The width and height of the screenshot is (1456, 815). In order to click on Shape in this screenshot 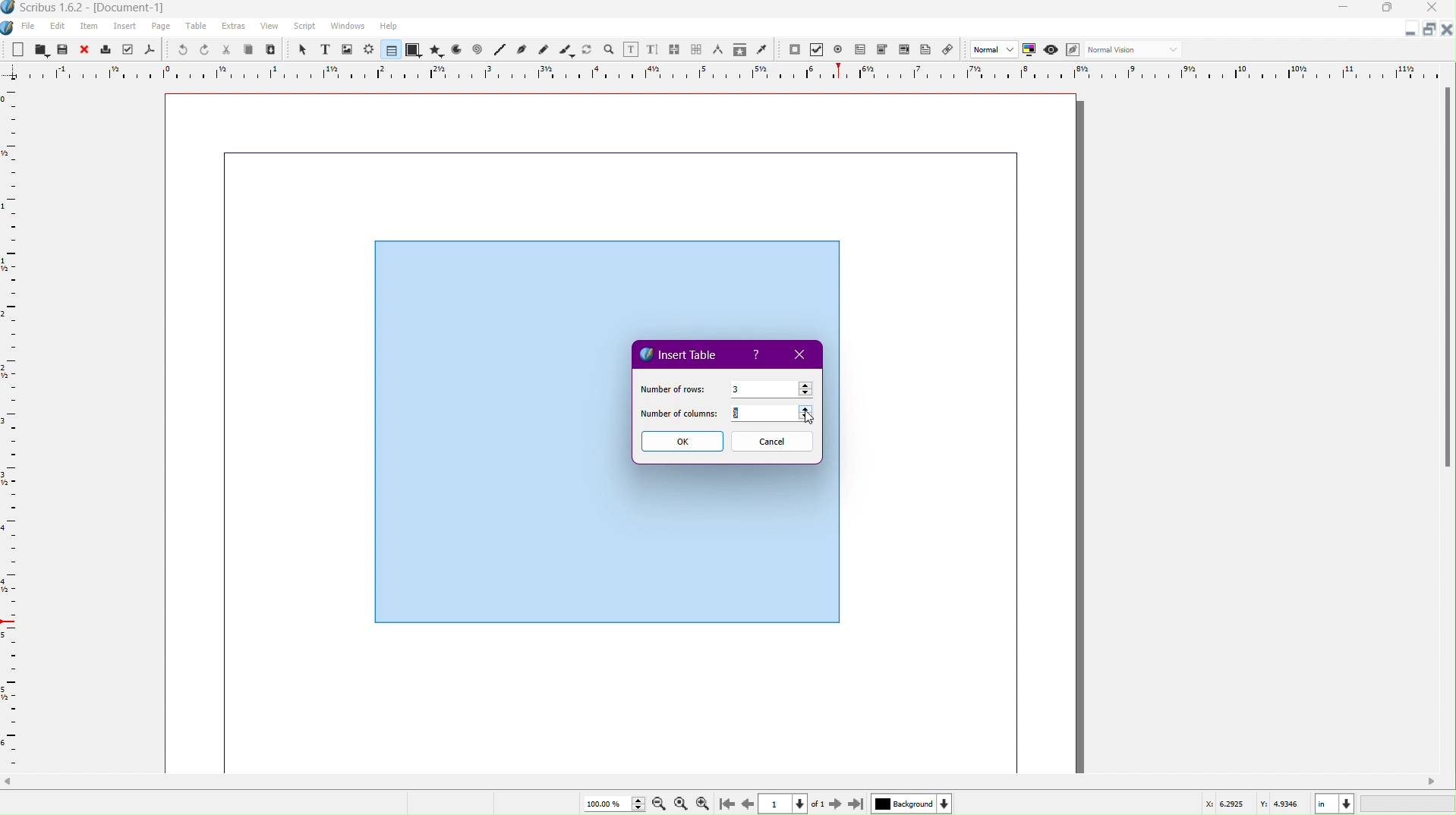, I will do `click(414, 51)`.